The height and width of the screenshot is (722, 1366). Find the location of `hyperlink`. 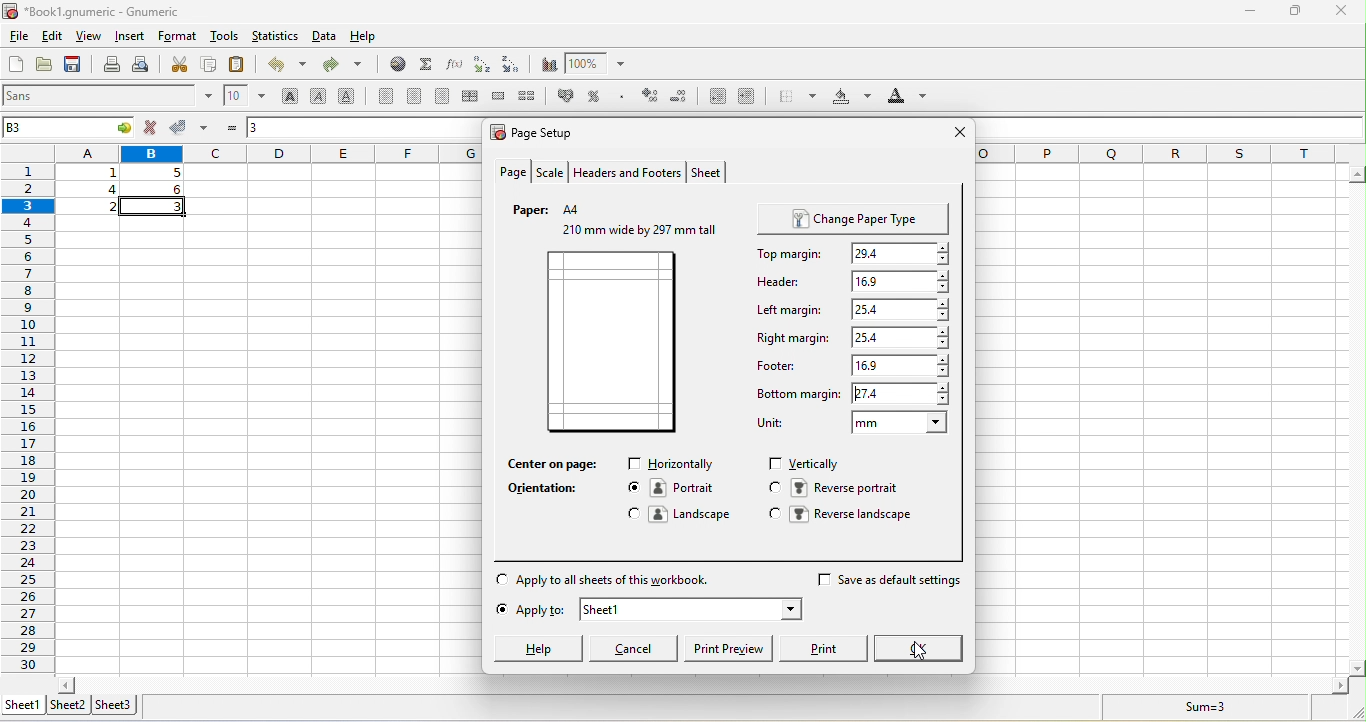

hyperlink is located at coordinates (394, 65).